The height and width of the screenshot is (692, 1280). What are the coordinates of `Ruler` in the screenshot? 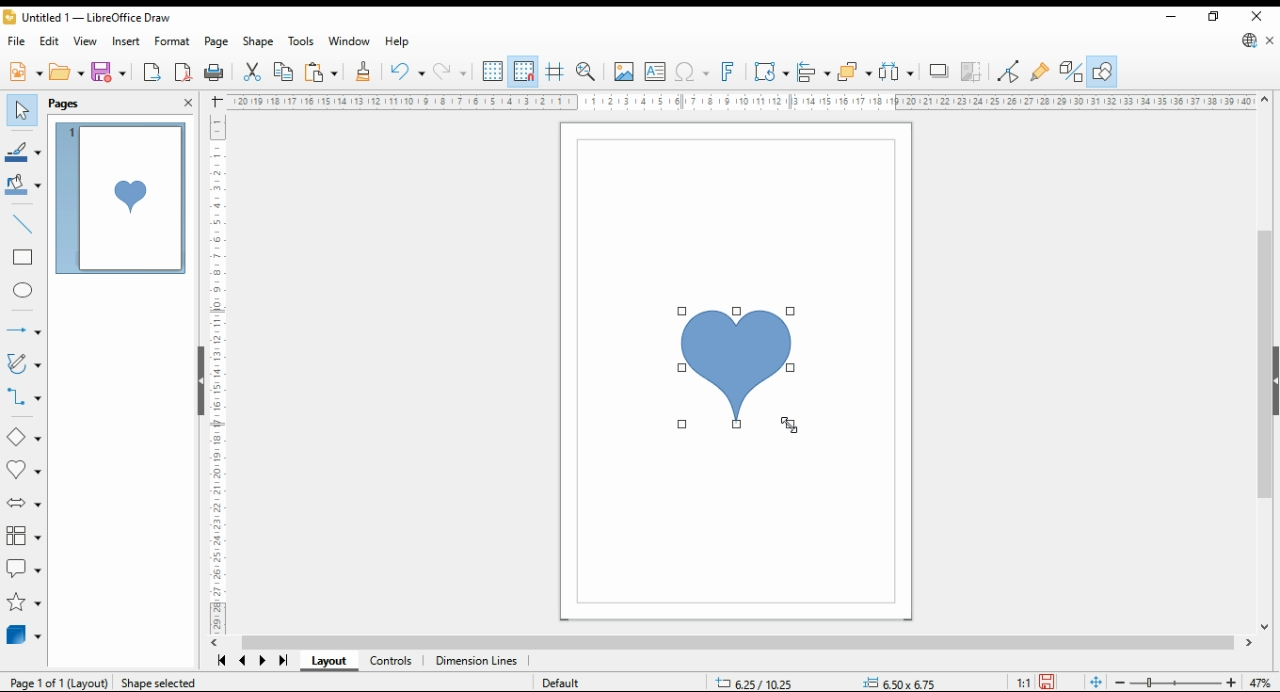 It's located at (743, 102).